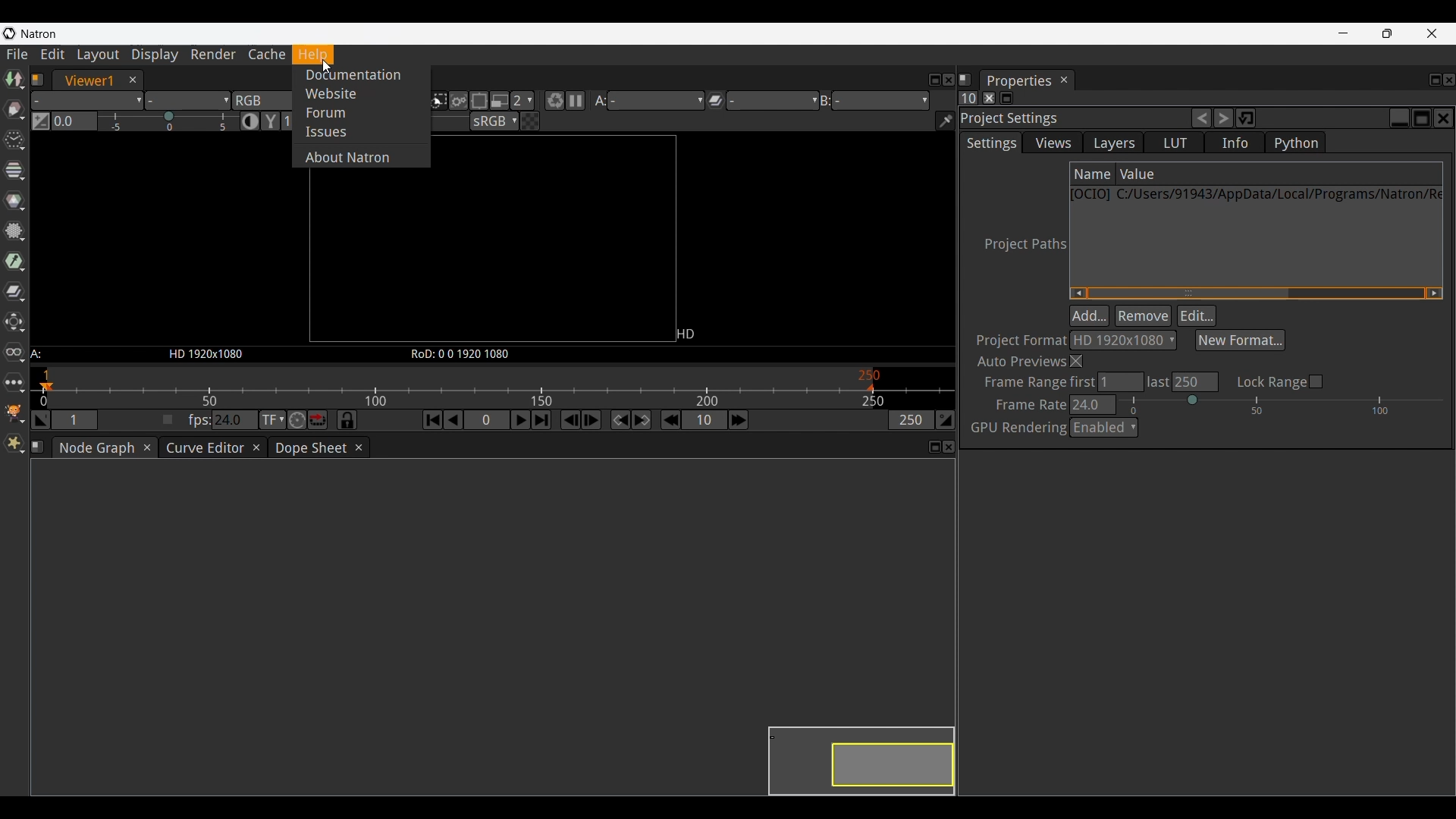 This screenshot has width=1456, height=819. What do you see at coordinates (494, 121) in the screenshot?
I see `Viewer color proc` at bounding box center [494, 121].